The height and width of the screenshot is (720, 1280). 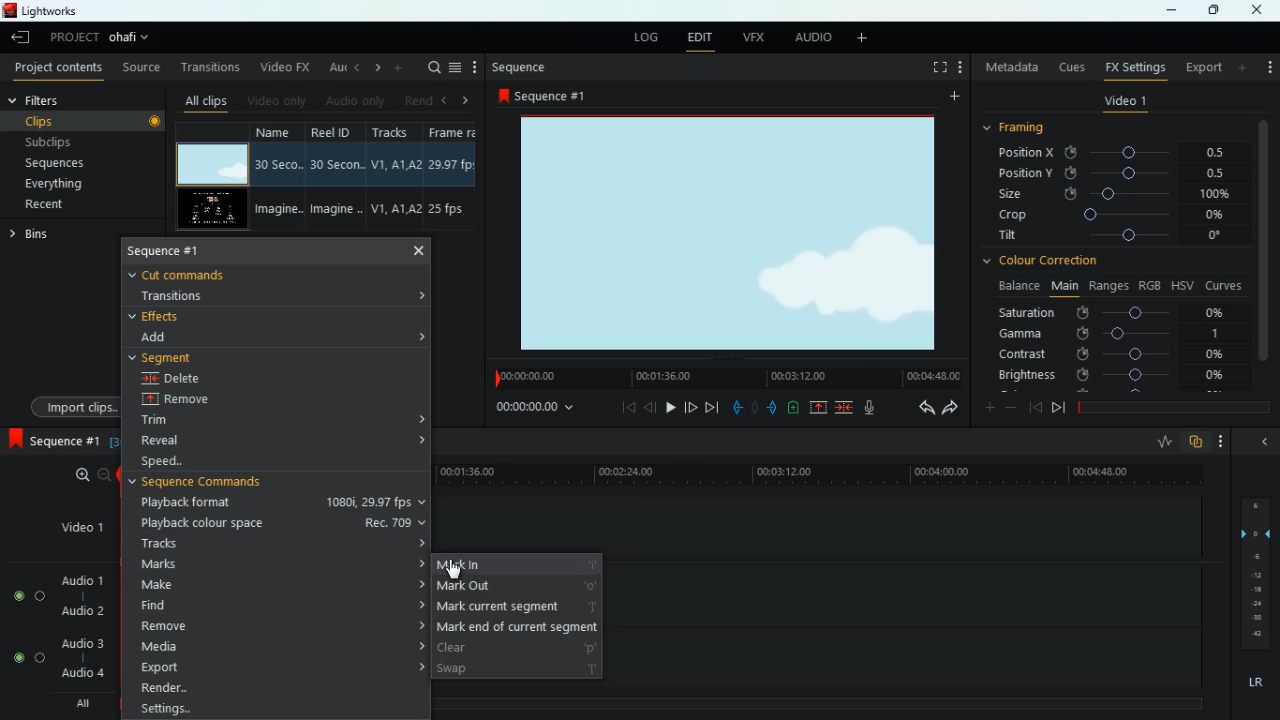 What do you see at coordinates (1113, 314) in the screenshot?
I see `saturation` at bounding box center [1113, 314].